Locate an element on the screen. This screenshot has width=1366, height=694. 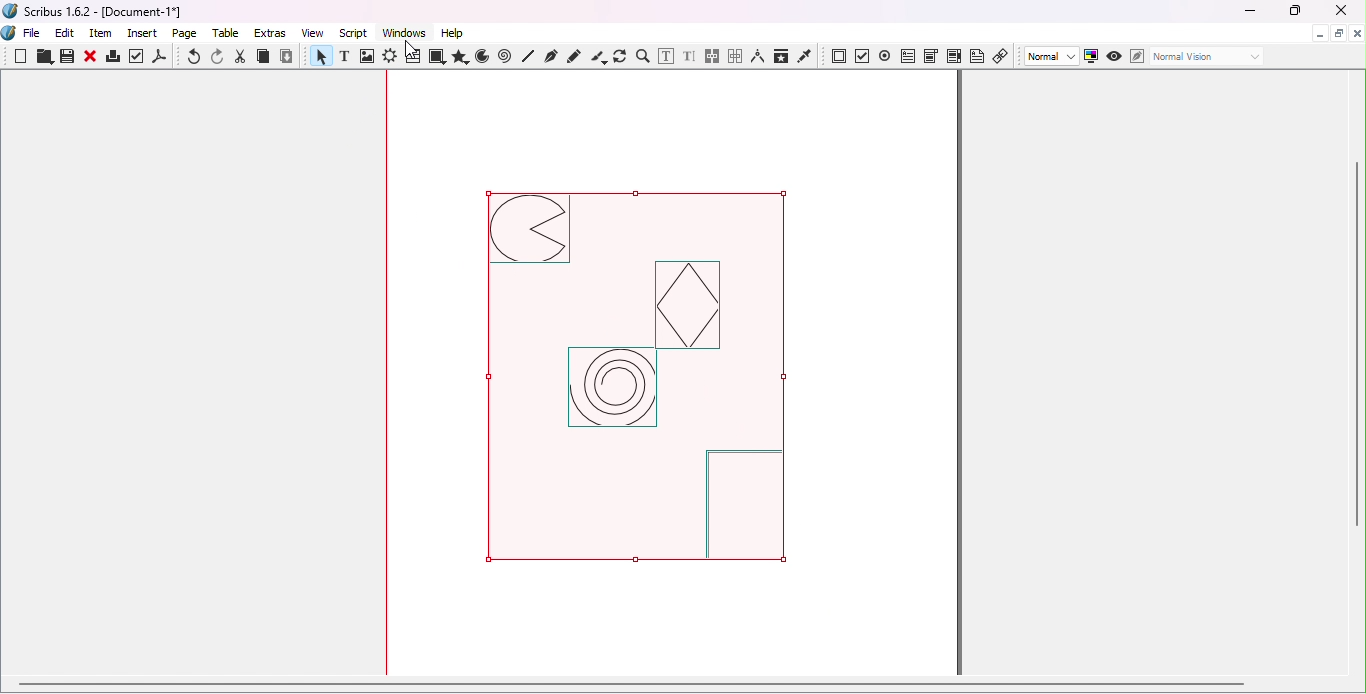
Freehand line is located at coordinates (575, 56).